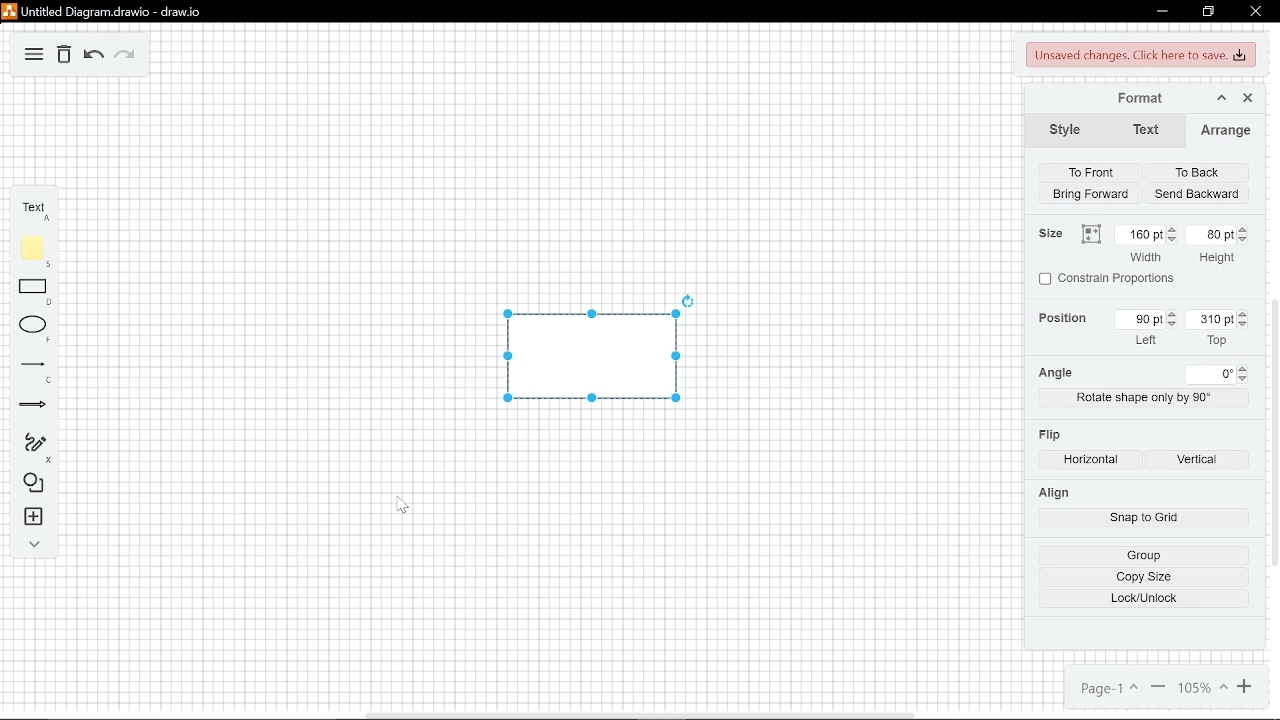 This screenshot has height=720, width=1280. What do you see at coordinates (34, 544) in the screenshot?
I see `collapse` at bounding box center [34, 544].